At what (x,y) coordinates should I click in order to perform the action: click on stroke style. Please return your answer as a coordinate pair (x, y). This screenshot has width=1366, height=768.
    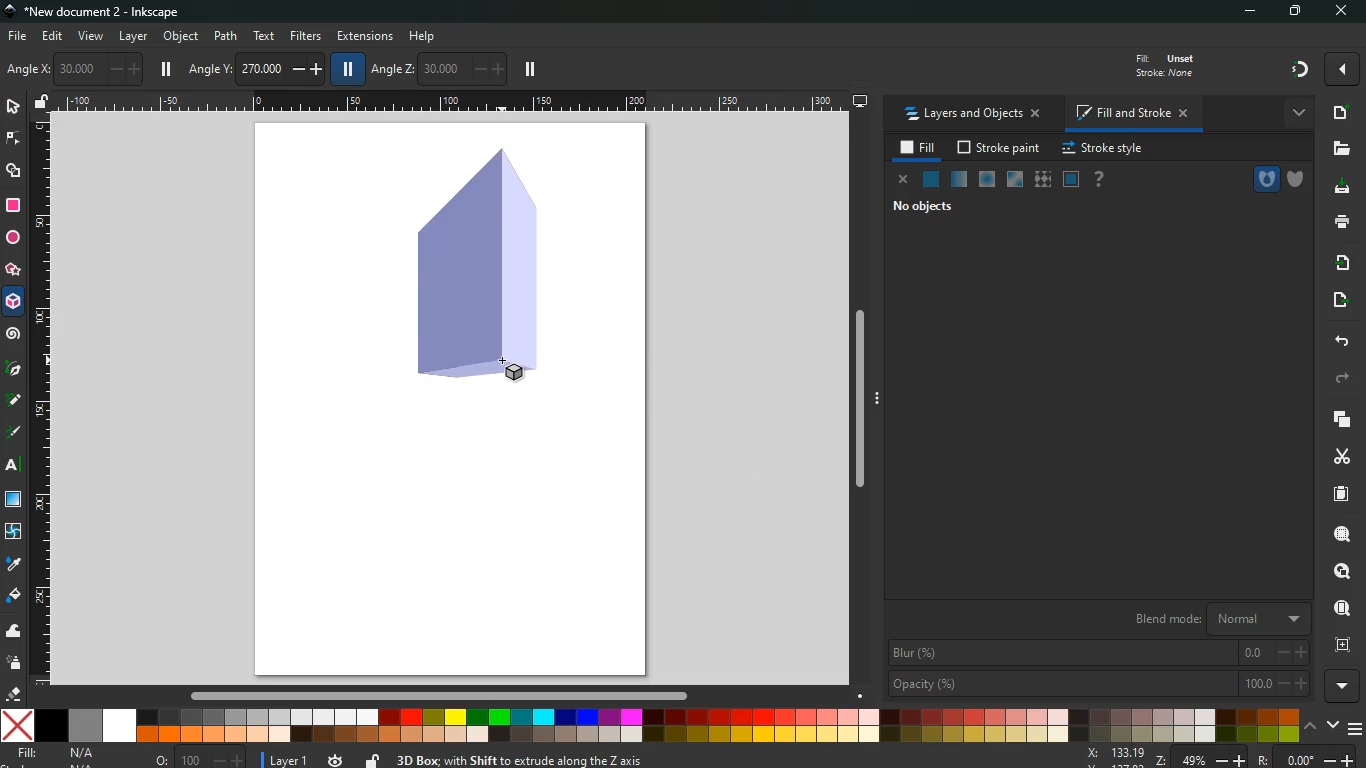
    Looking at the image, I should click on (1102, 149).